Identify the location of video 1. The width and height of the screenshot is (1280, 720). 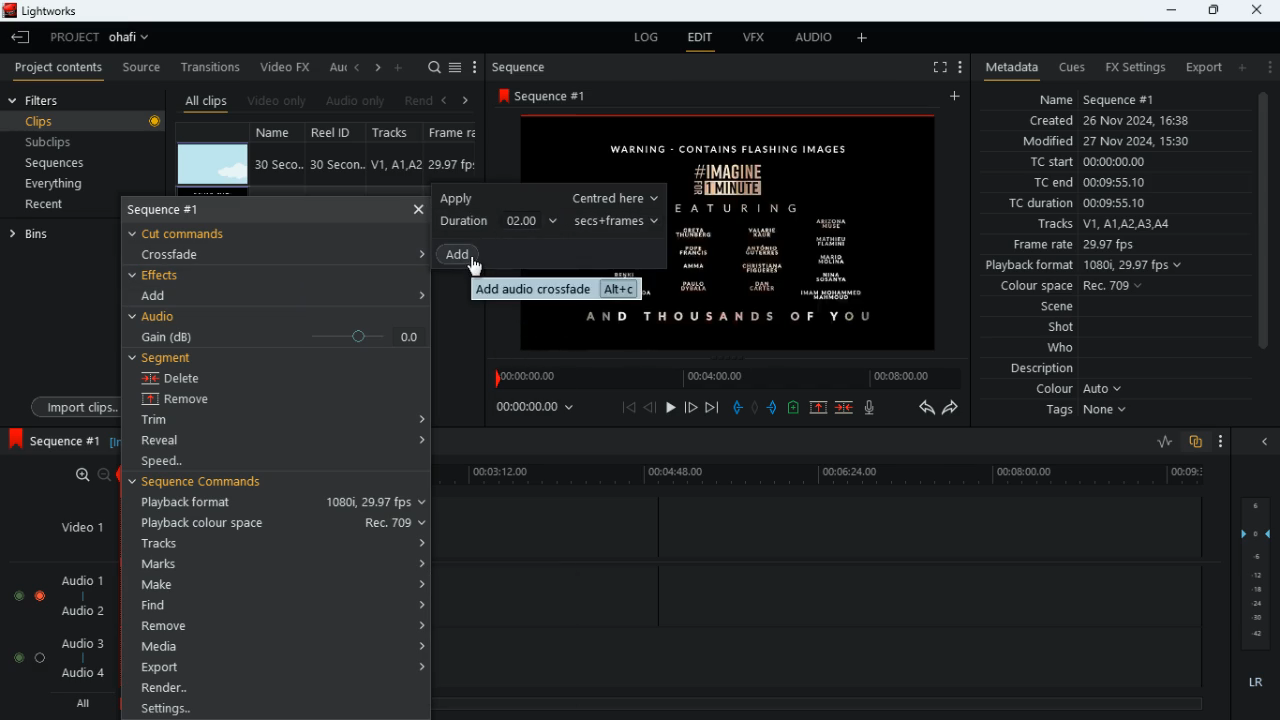
(74, 526).